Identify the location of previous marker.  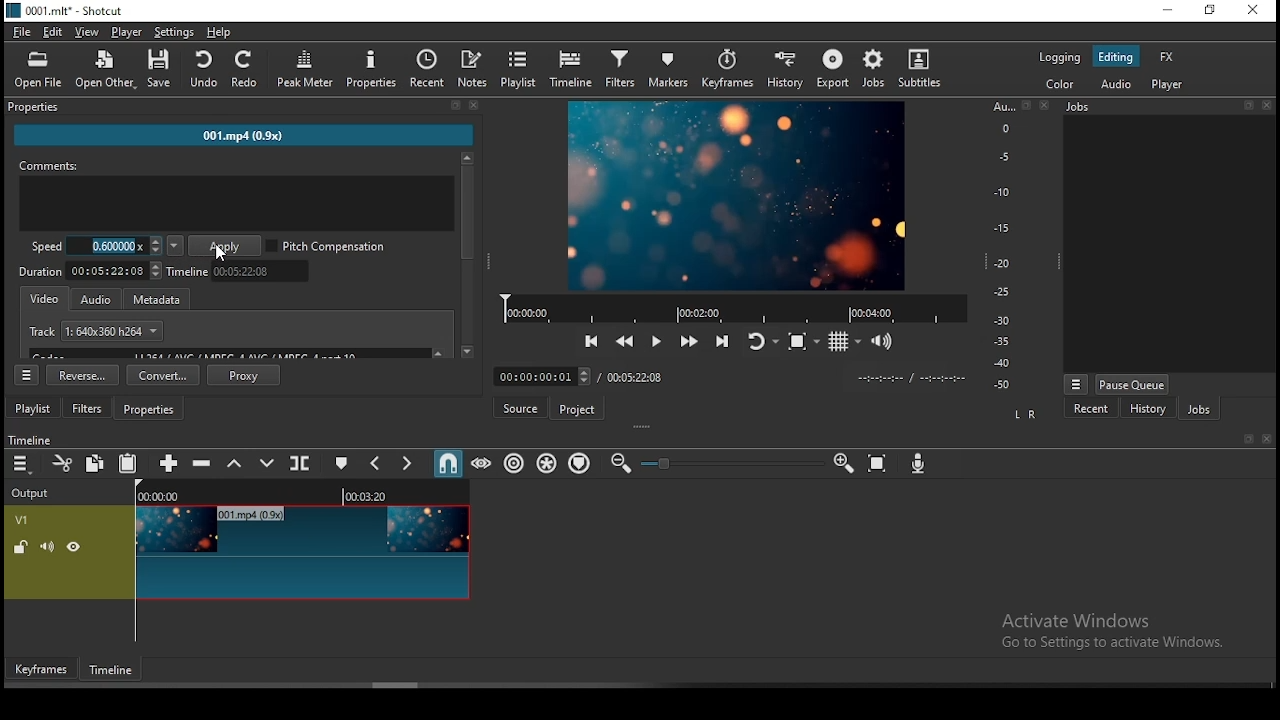
(377, 463).